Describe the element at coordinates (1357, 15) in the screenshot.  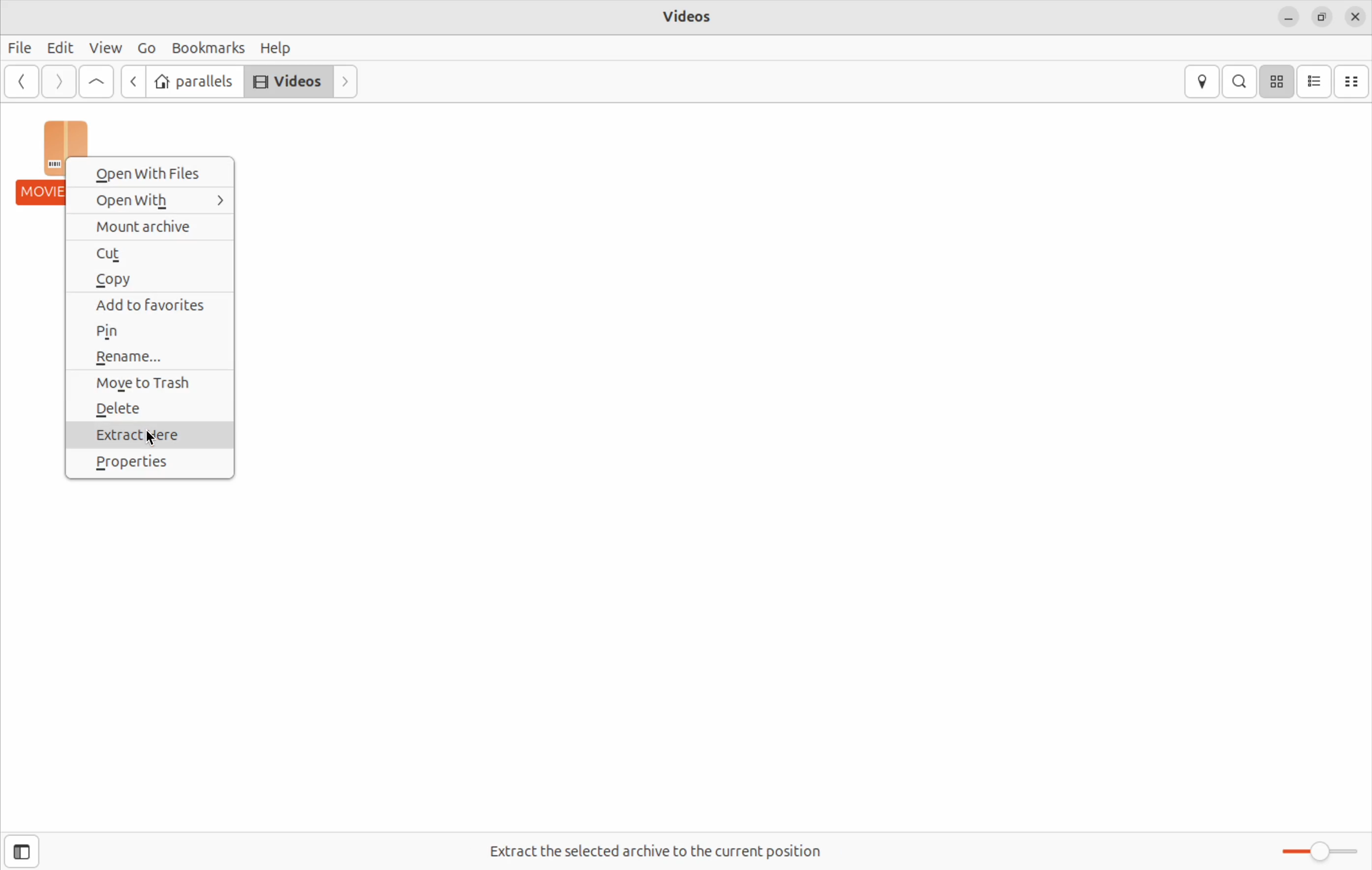
I see `close` at that location.